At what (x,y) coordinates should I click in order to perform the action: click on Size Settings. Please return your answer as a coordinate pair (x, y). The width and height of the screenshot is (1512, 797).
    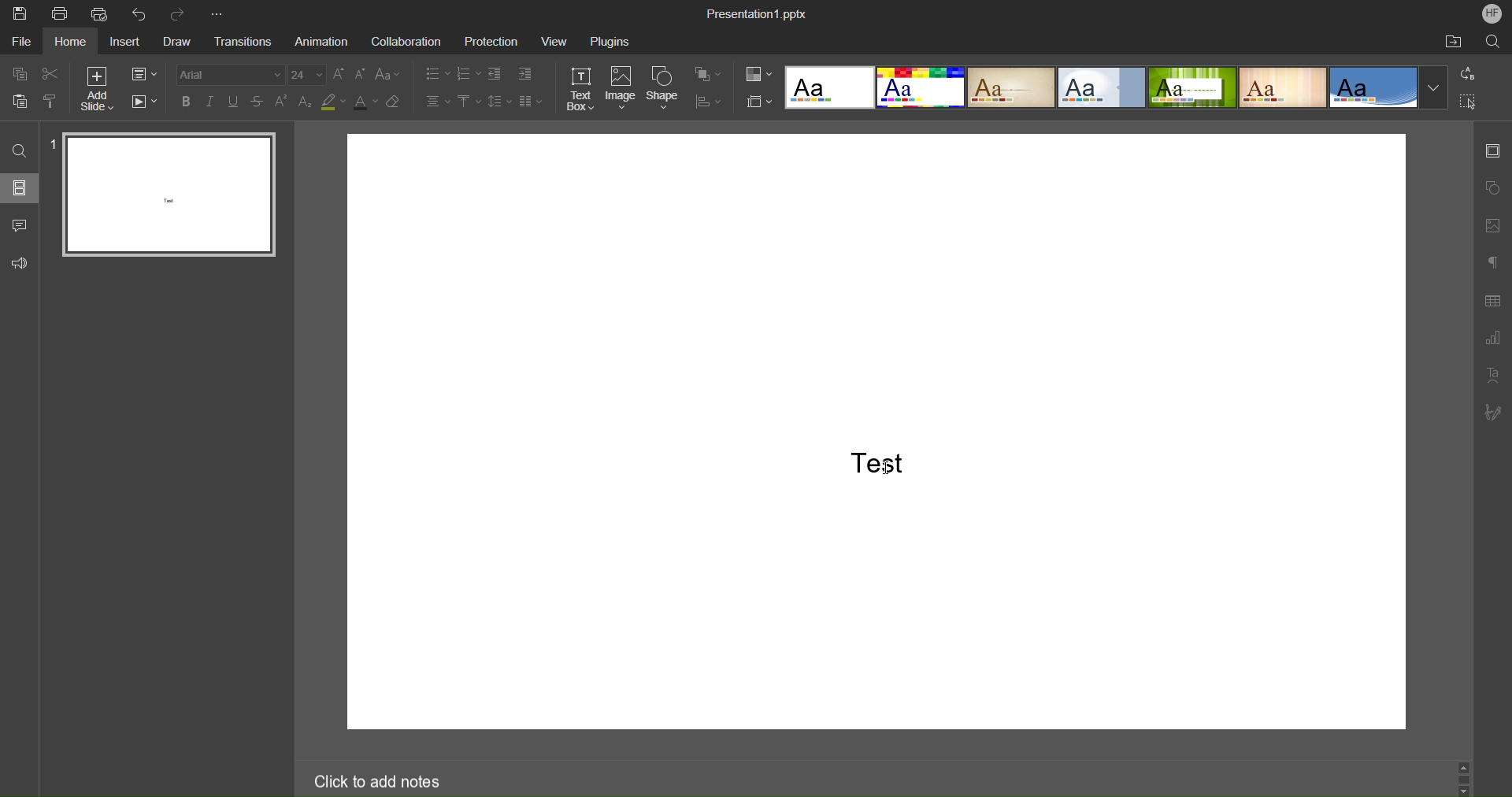
    Looking at the image, I should click on (758, 101).